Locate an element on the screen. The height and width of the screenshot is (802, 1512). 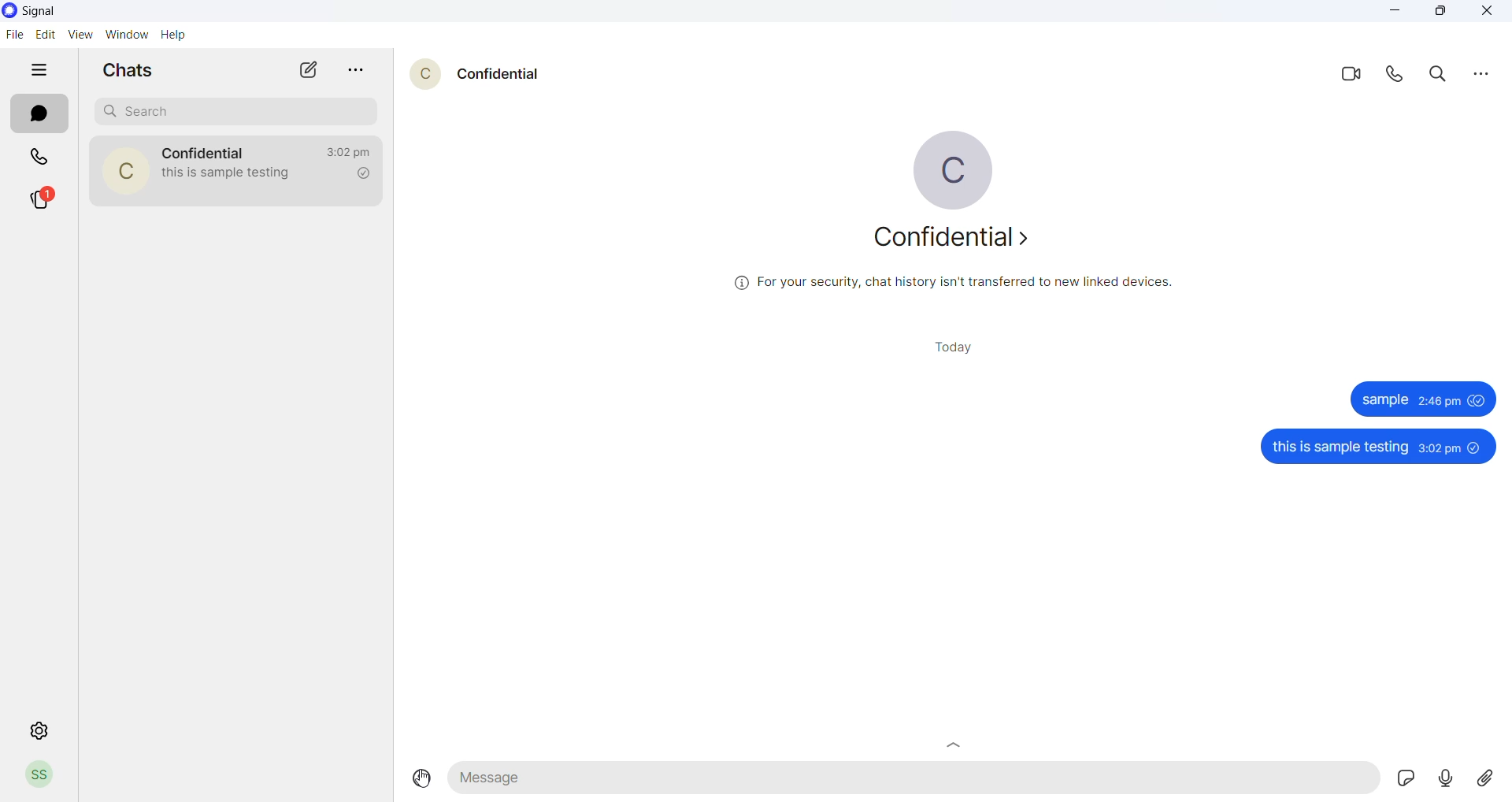
minimize is located at coordinates (1391, 13).